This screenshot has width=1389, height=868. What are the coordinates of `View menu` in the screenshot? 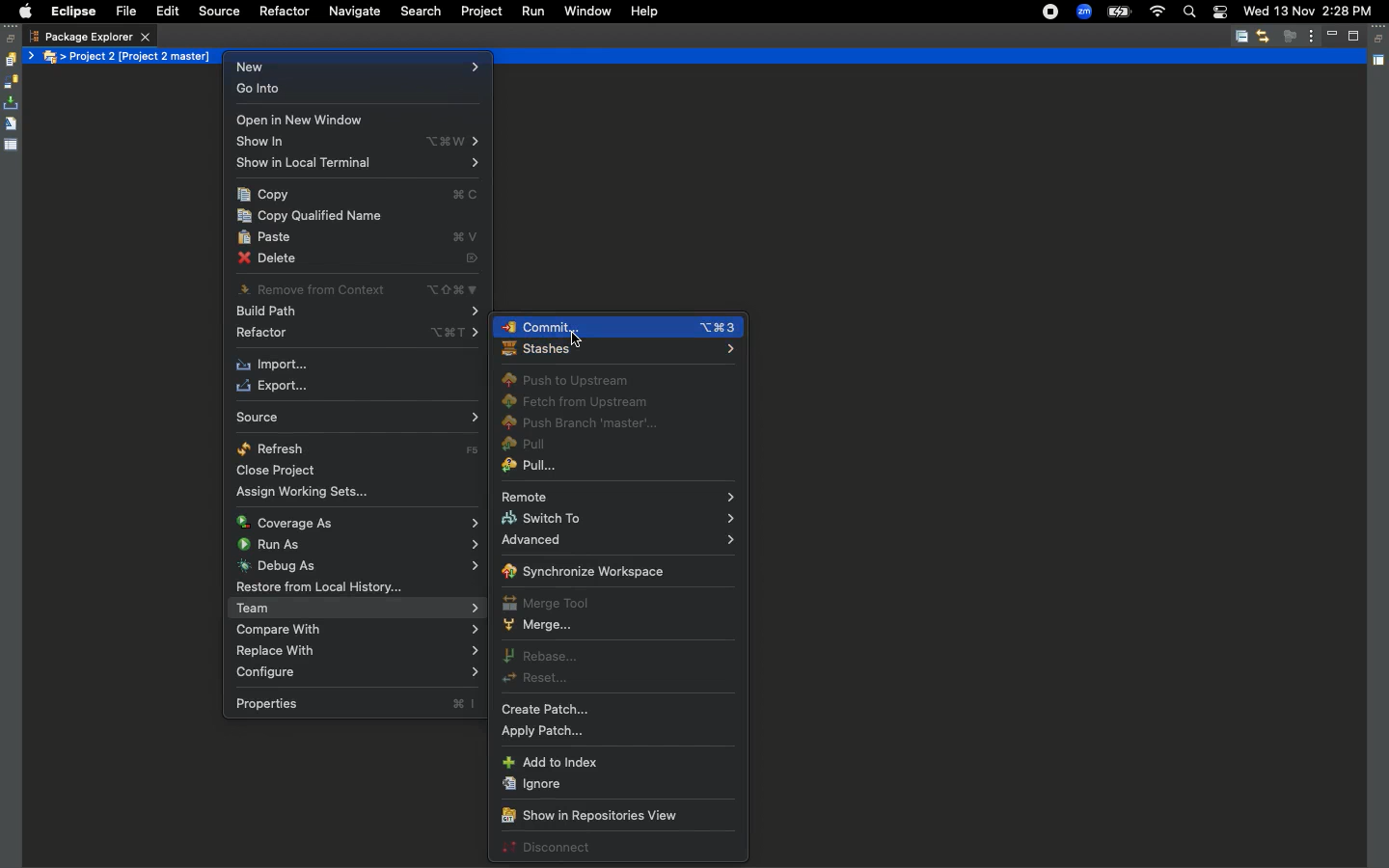 It's located at (1312, 35).